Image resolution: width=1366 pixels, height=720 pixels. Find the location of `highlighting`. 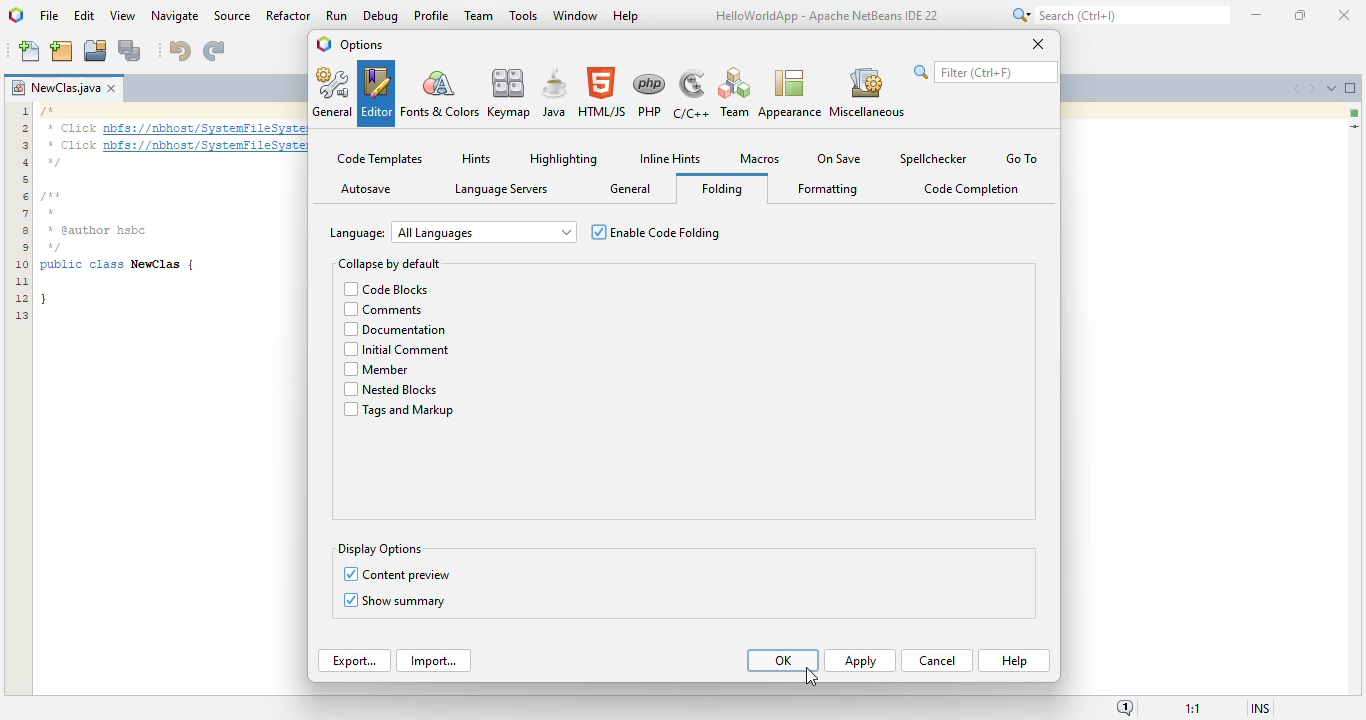

highlighting is located at coordinates (564, 159).